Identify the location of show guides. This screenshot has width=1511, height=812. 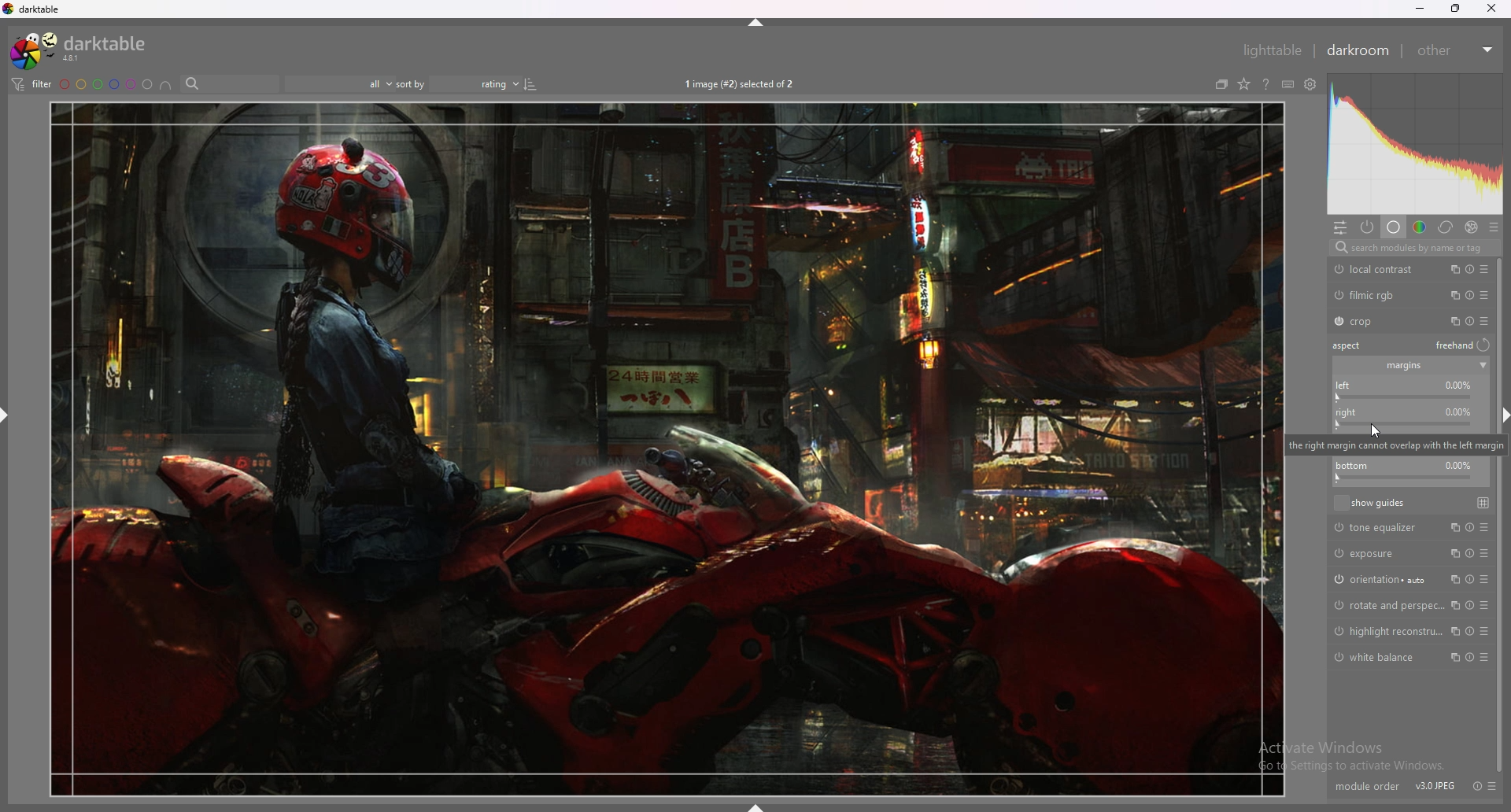
(1370, 502).